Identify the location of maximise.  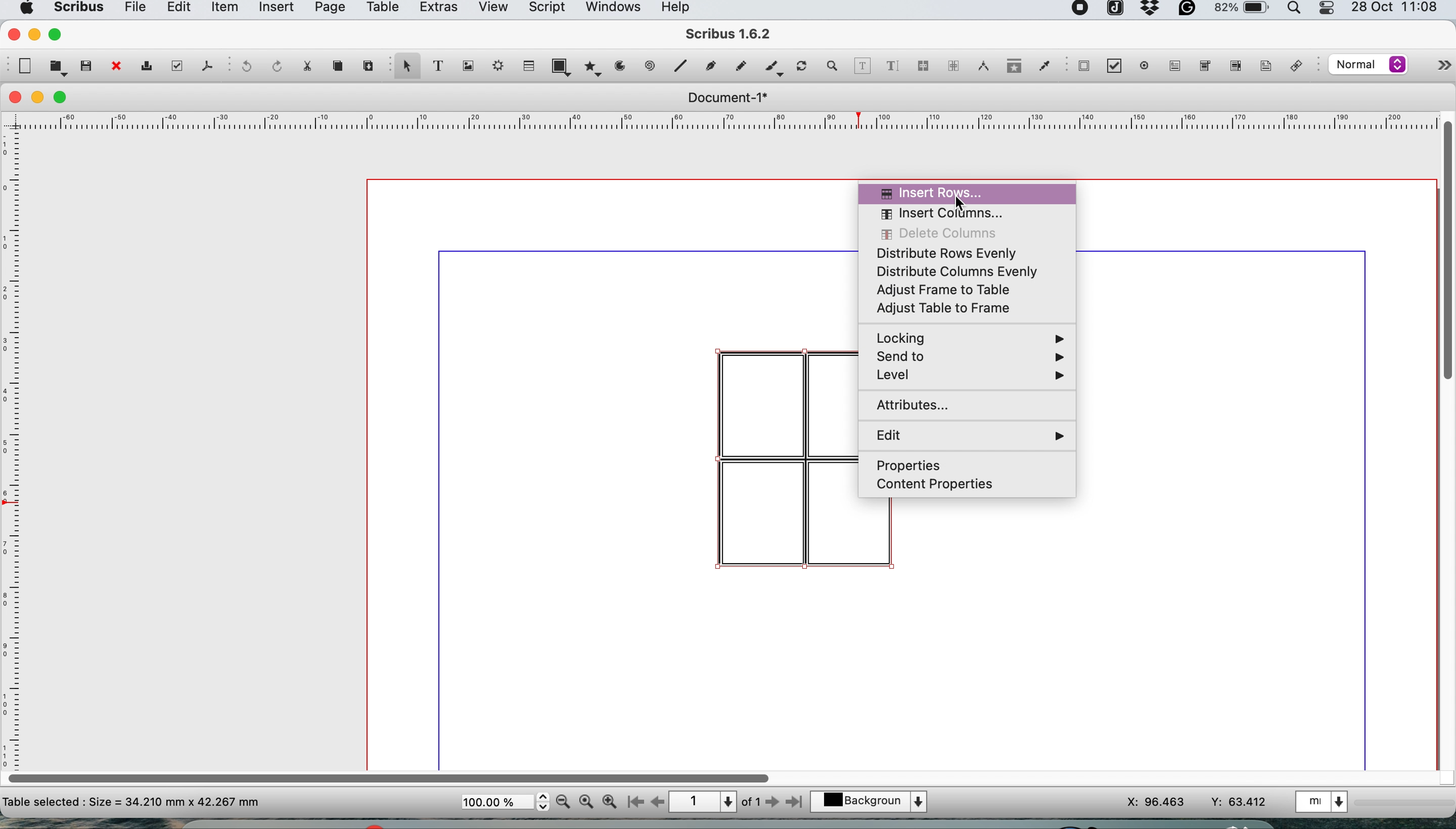
(64, 98).